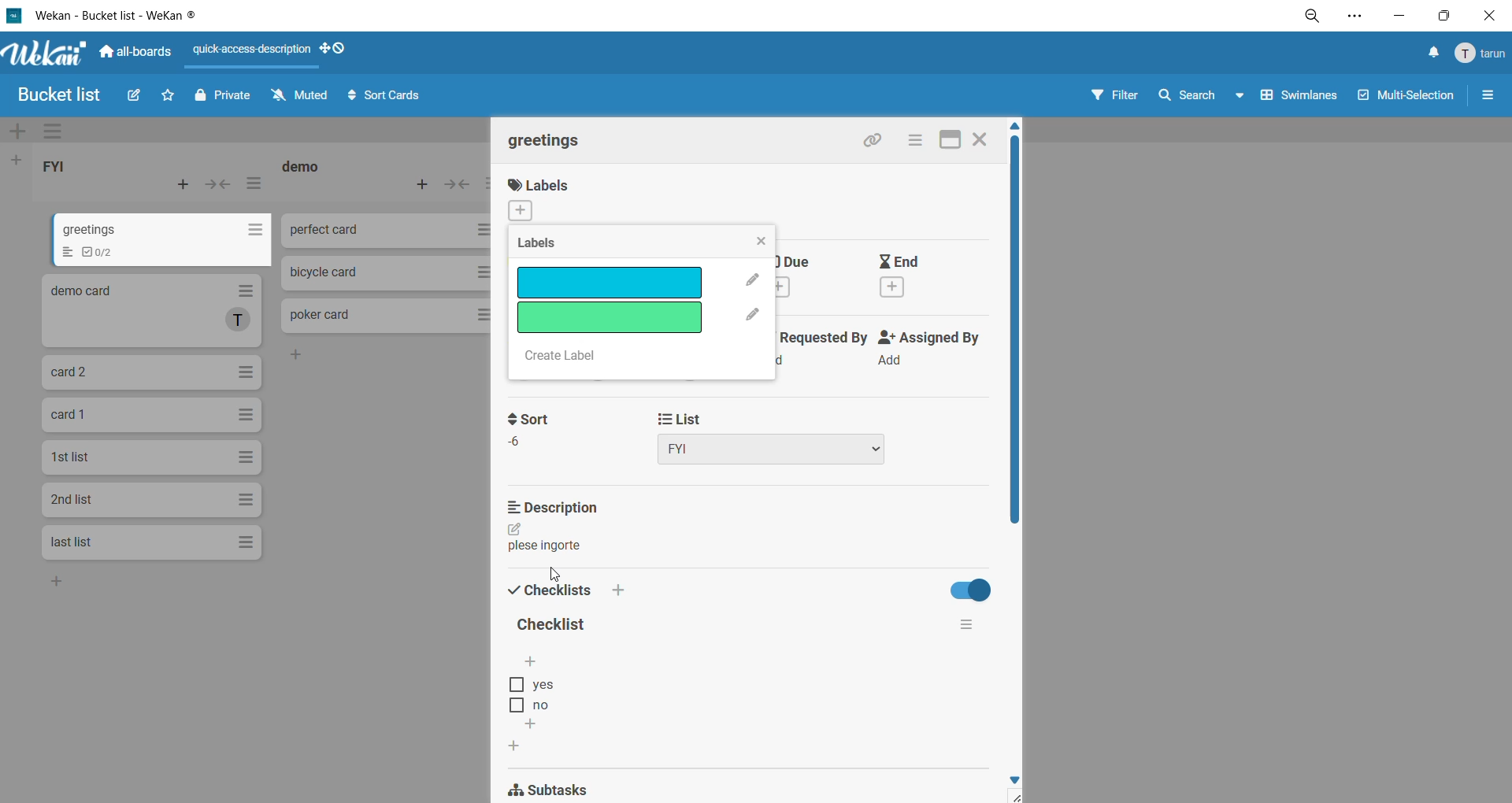 This screenshot has width=1512, height=803. What do you see at coordinates (878, 140) in the screenshot?
I see `copy link` at bounding box center [878, 140].